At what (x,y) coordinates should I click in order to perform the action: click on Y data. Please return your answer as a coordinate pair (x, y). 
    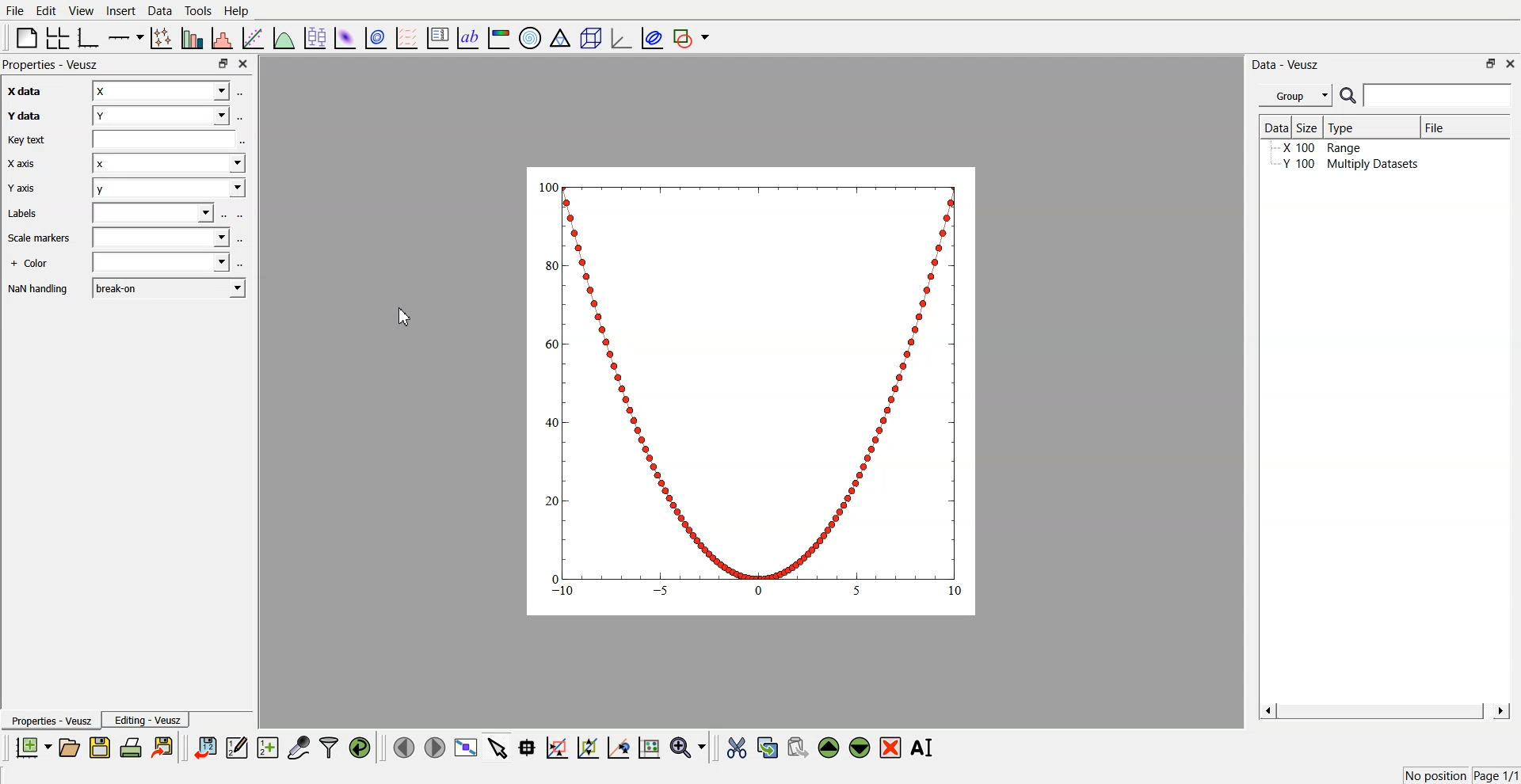
    Looking at the image, I should click on (28, 116).